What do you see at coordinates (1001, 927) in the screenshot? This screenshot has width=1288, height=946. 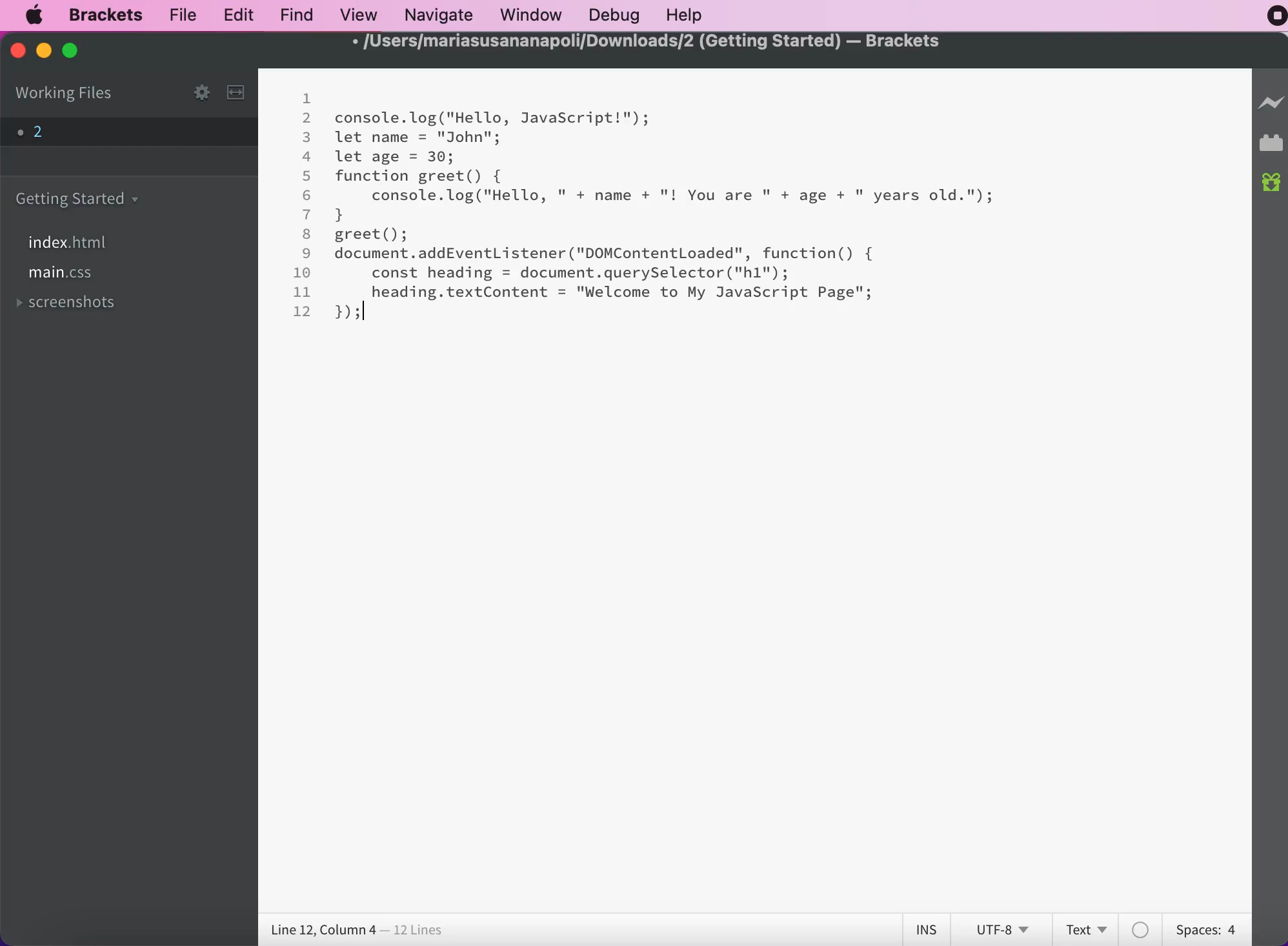 I see `utf-8` at bounding box center [1001, 927].